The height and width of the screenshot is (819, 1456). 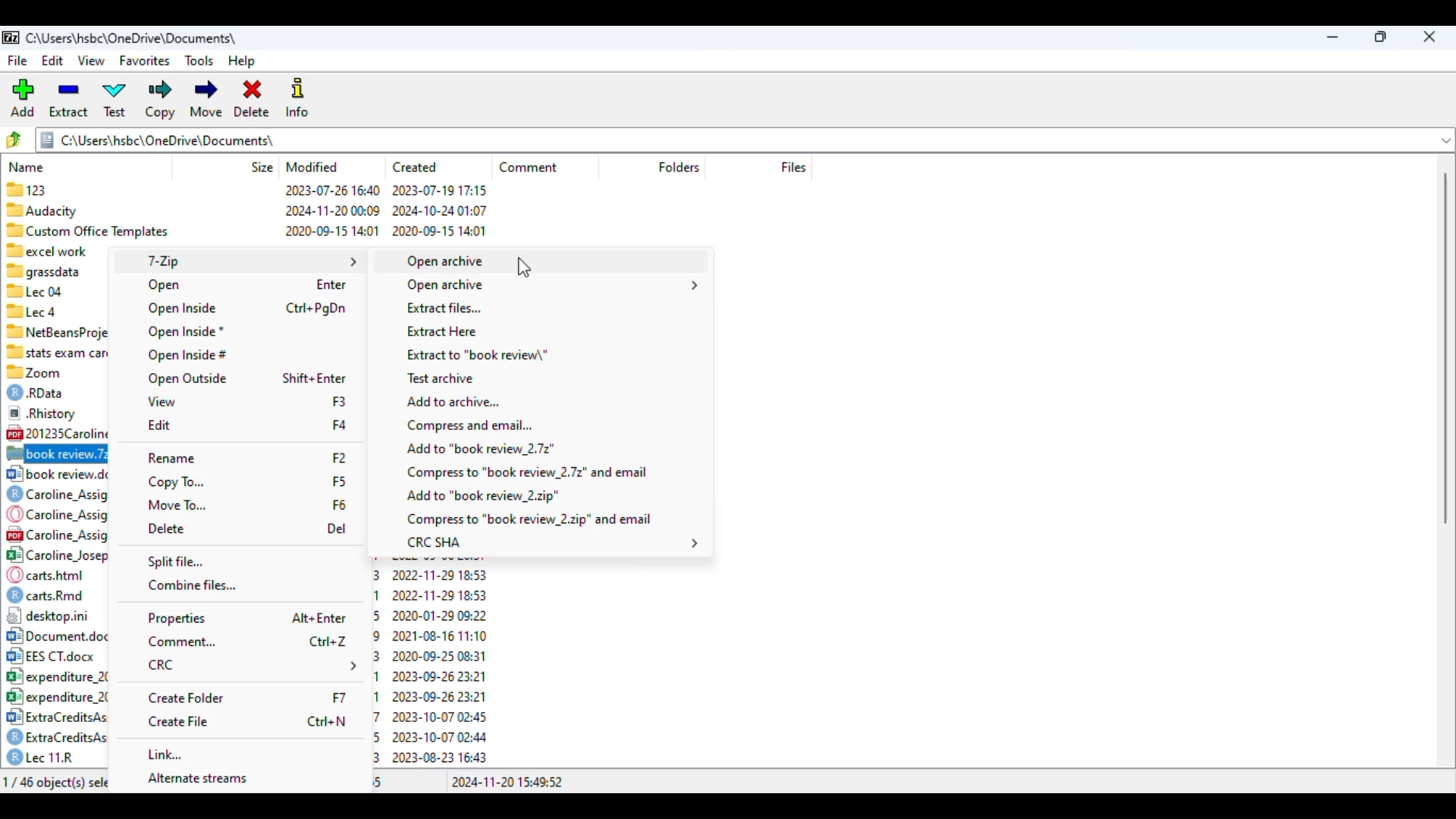 What do you see at coordinates (133, 37) in the screenshot?
I see `folder name` at bounding box center [133, 37].